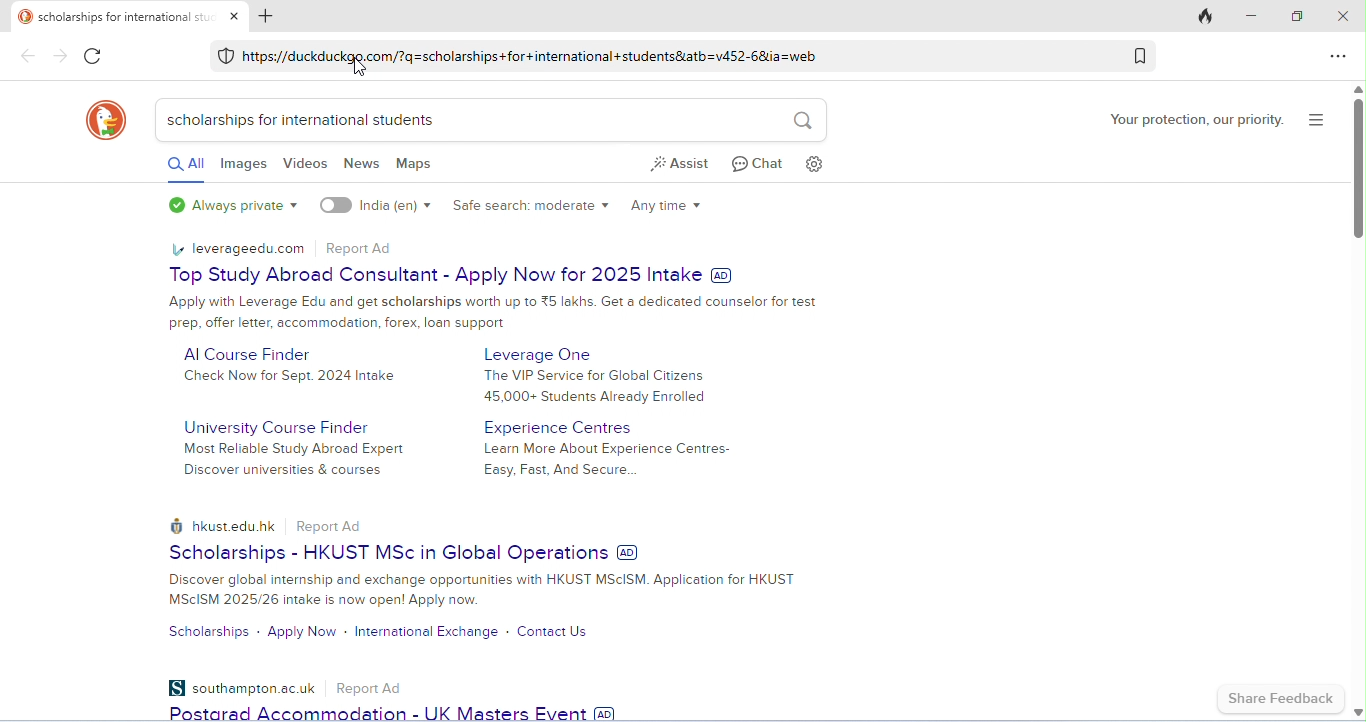 The image size is (1366, 722). Describe the element at coordinates (544, 631) in the screenshot. I see `contact  us` at that location.